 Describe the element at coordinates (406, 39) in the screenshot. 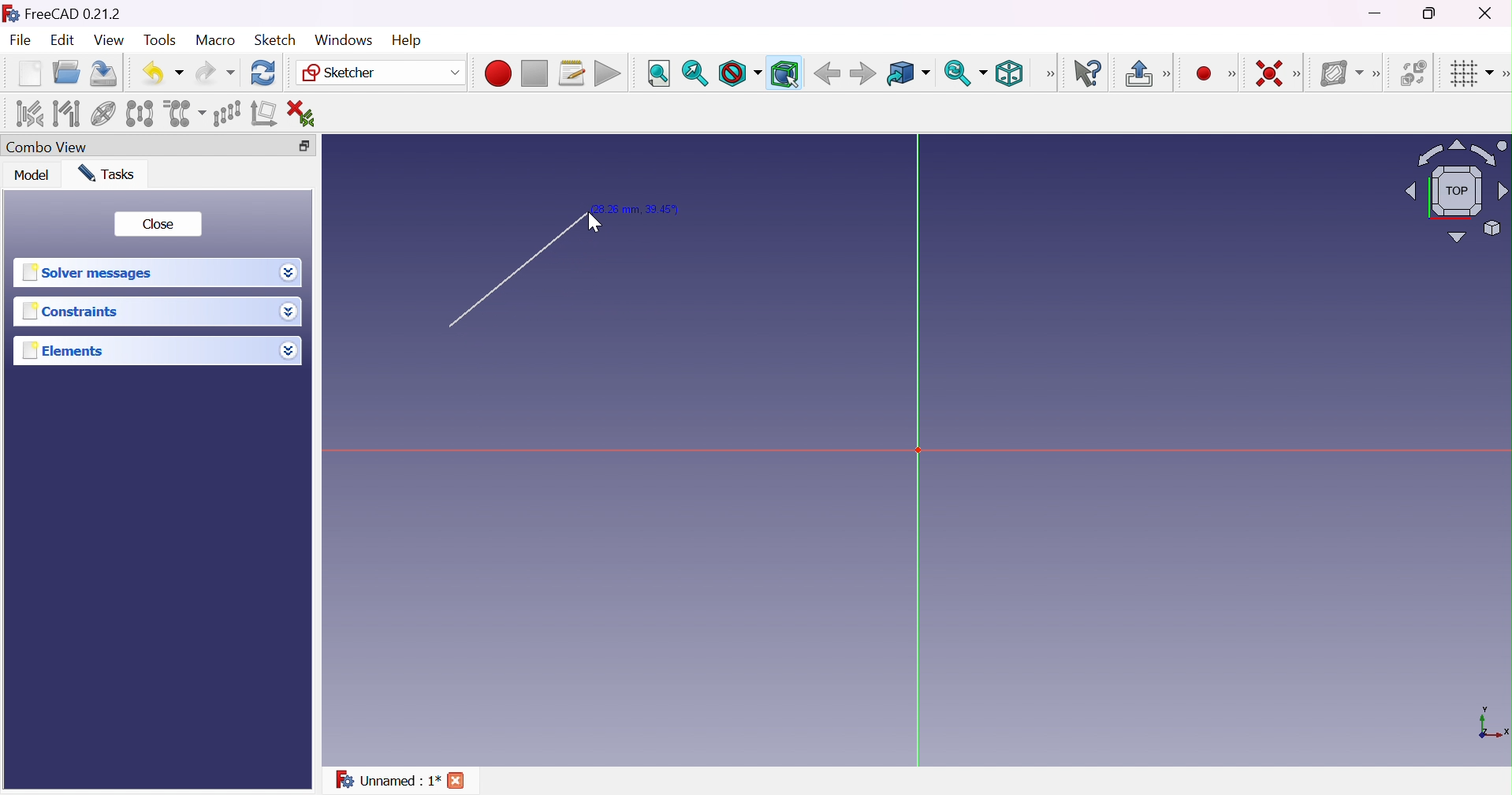

I see `Help` at that location.